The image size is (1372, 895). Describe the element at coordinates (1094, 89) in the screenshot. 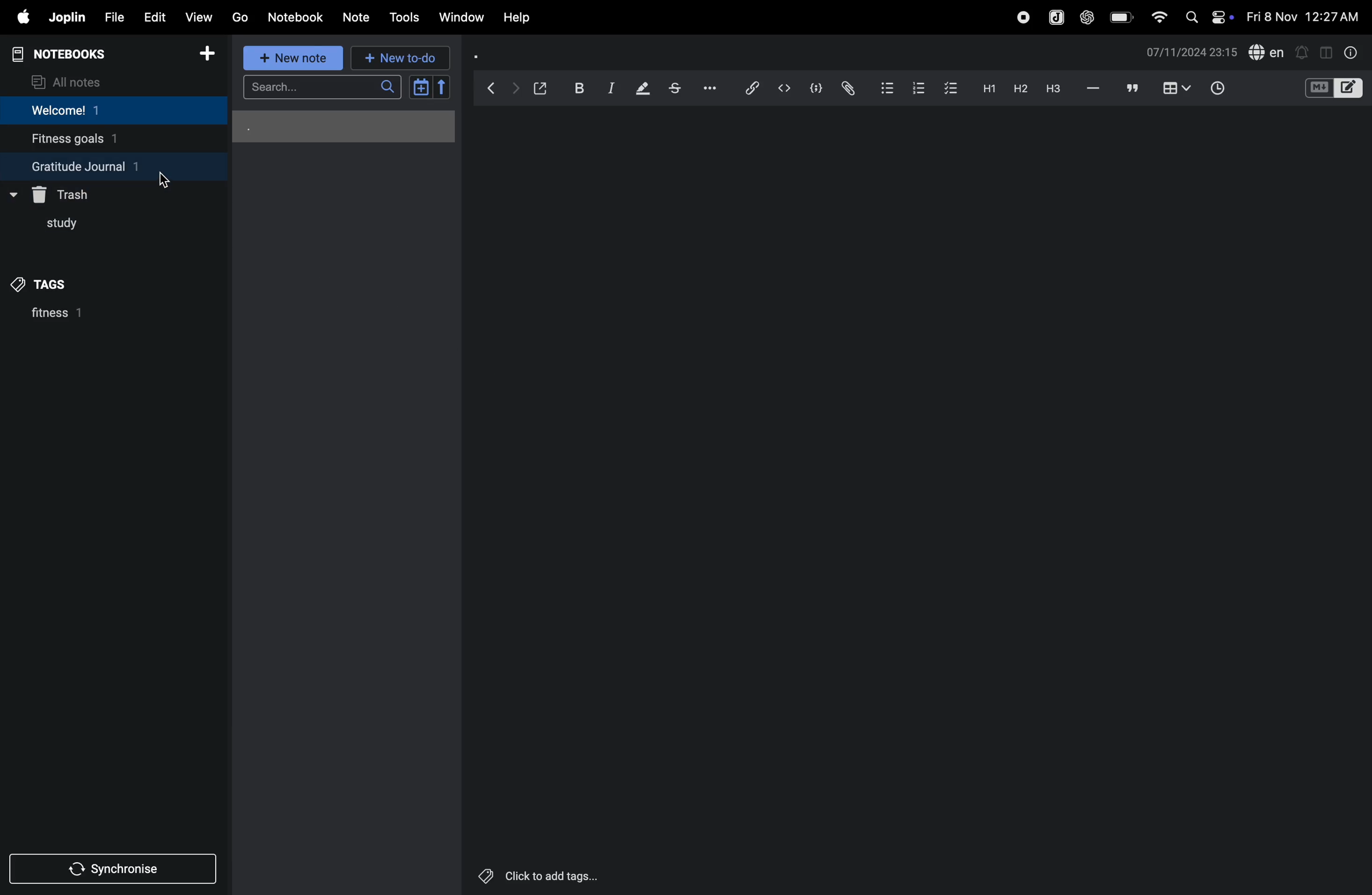

I see `horrizontal line` at that location.